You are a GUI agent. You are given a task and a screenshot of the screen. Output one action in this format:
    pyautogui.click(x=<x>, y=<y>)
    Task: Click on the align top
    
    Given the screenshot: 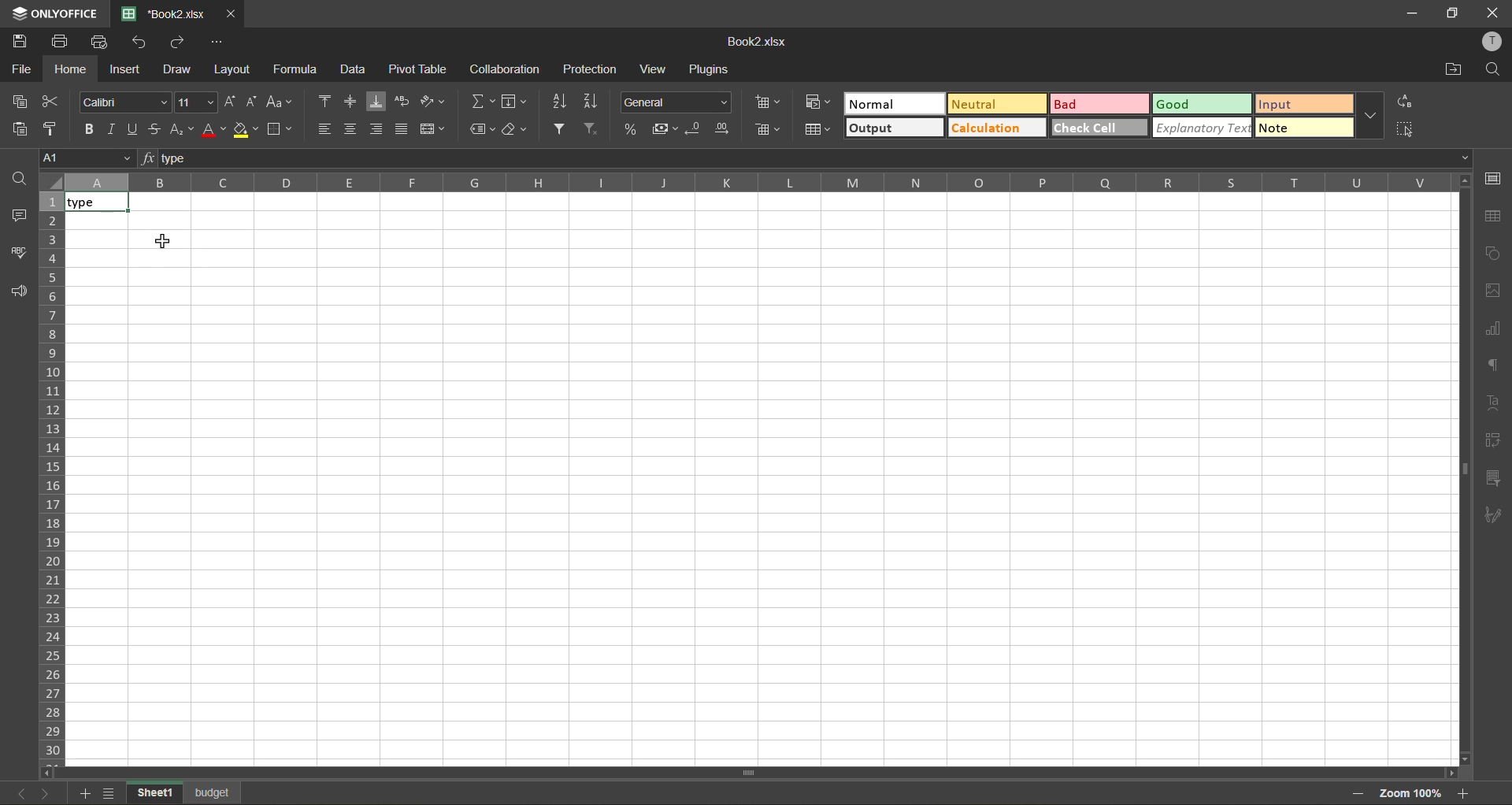 What is the action you would take?
    pyautogui.click(x=322, y=99)
    